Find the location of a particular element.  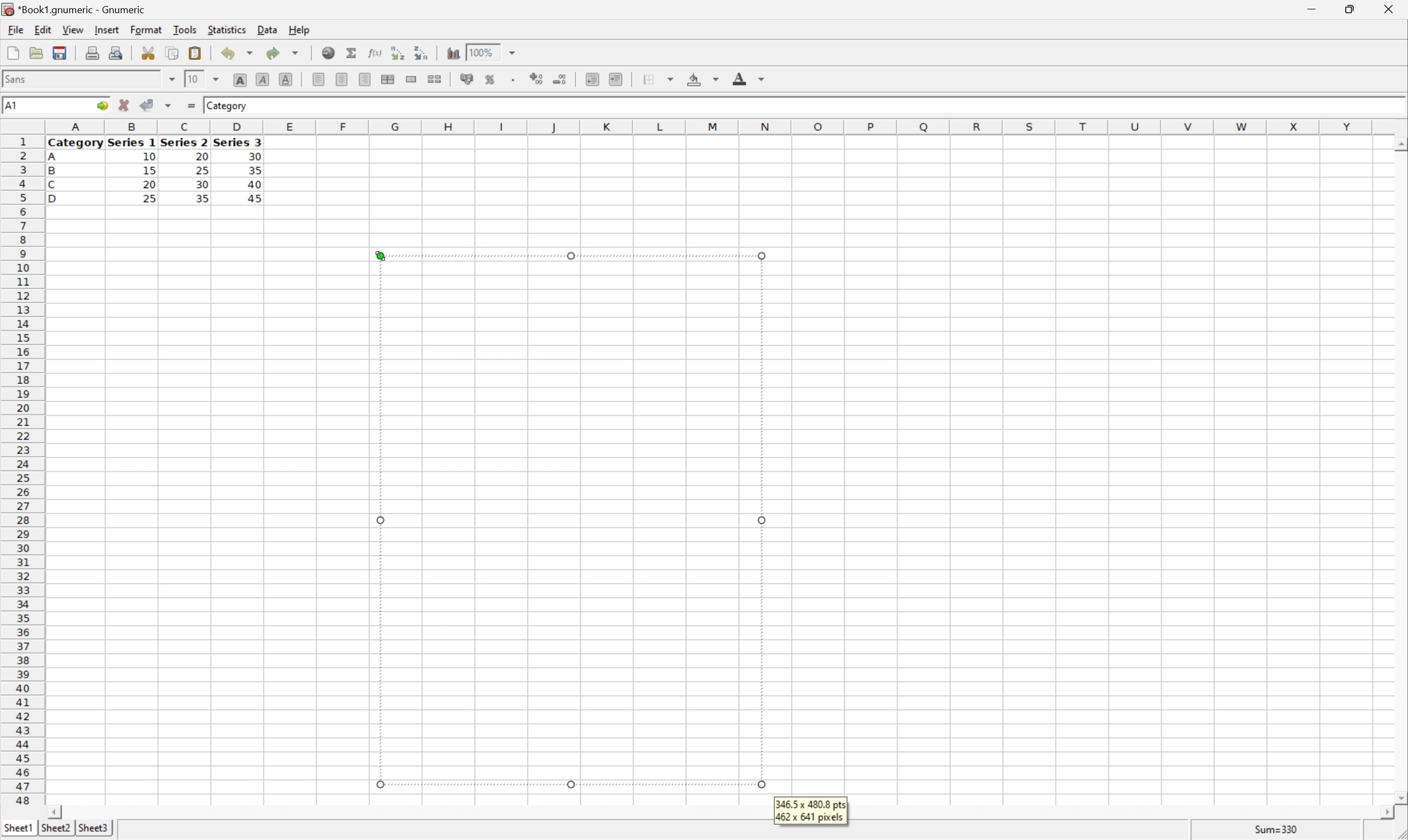

File is located at coordinates (16, 29).